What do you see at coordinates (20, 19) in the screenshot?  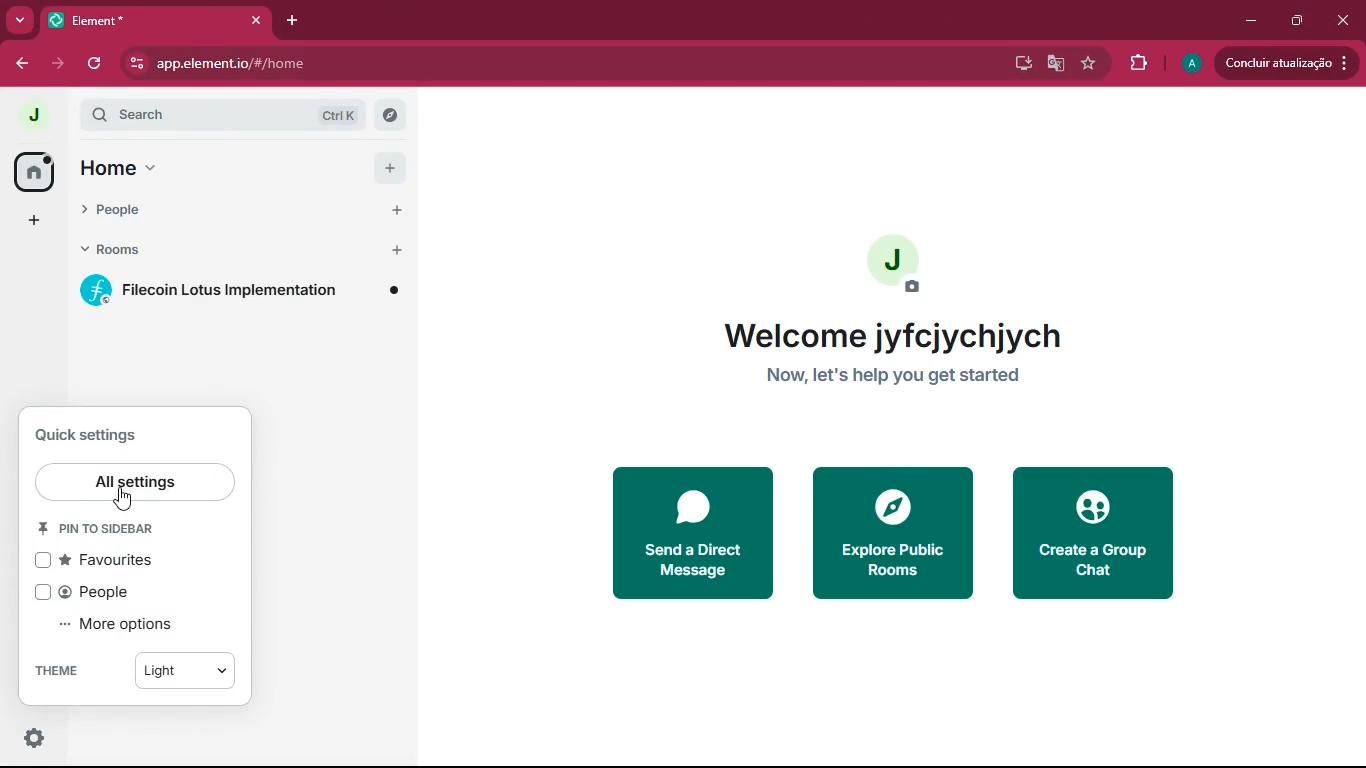 I see `more` at bounding box center [20, 19].